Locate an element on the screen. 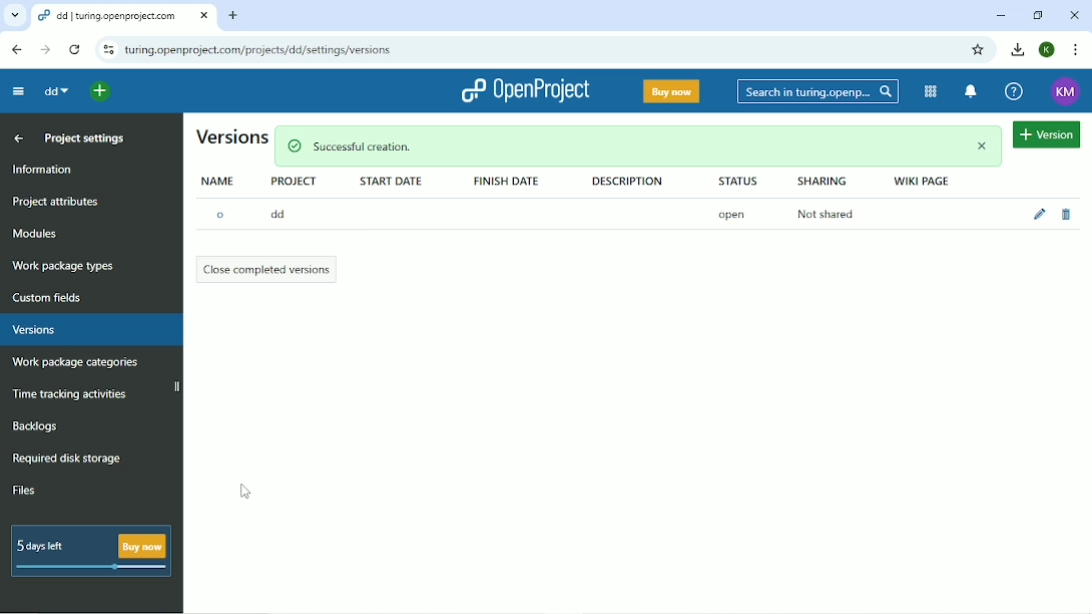 The height and width of the screenshot is (614, 1092). Time tracking activities is located at coordinates (70, 393).